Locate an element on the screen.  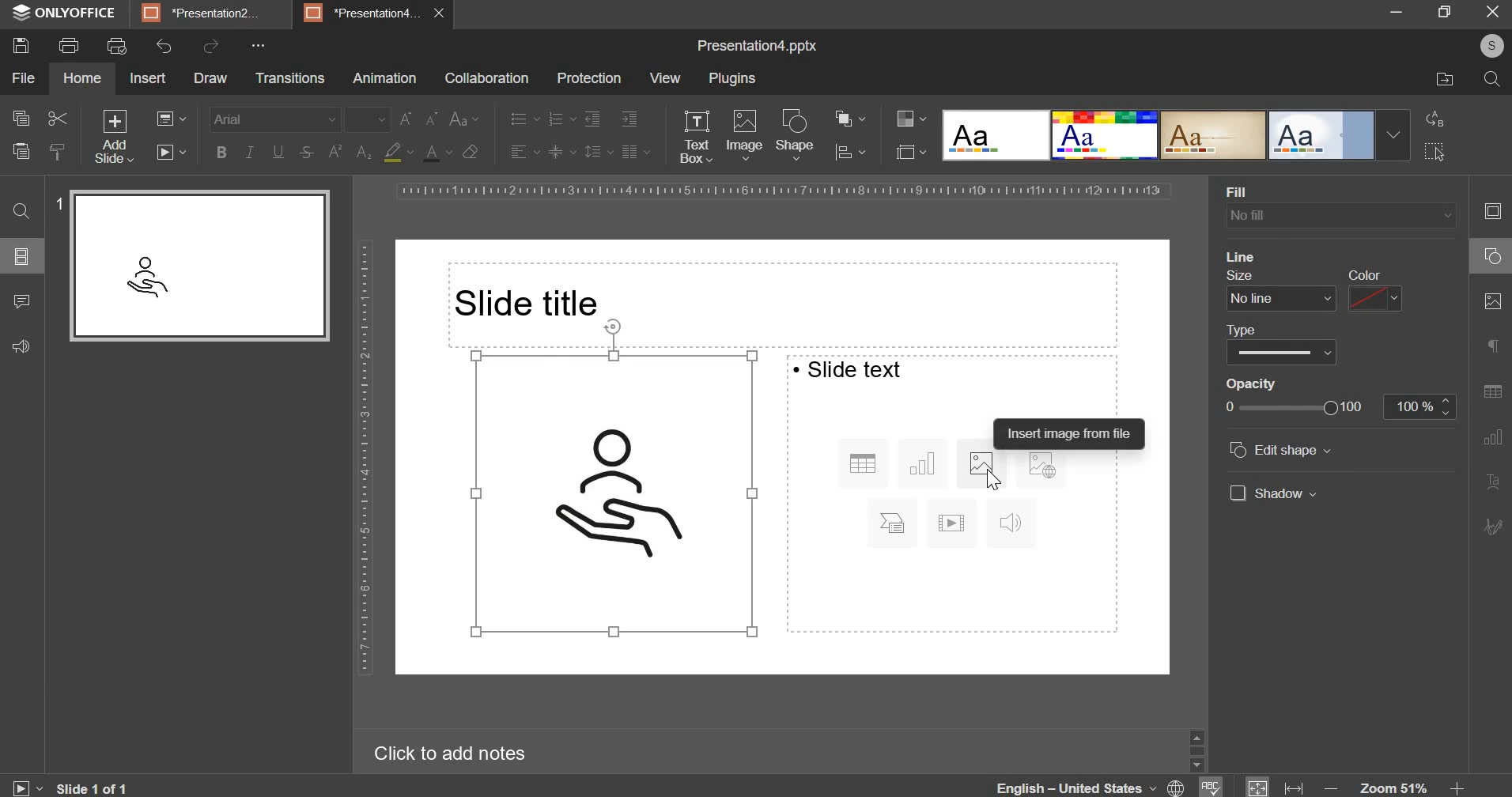
fill is located at coordinates (1237, 188).